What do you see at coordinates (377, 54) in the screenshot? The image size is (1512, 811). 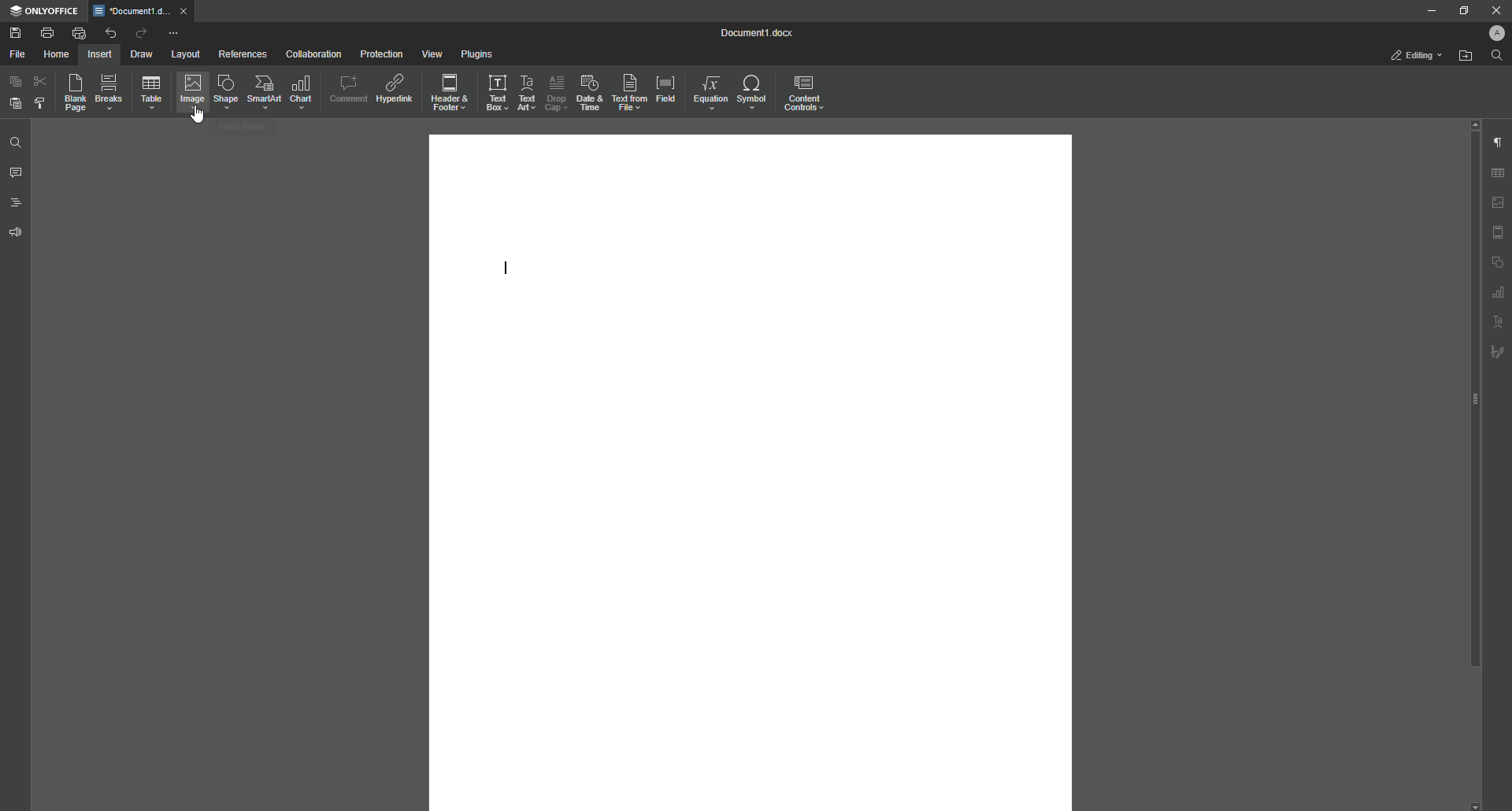 I see `Protection` at bounding box center [377, 54].